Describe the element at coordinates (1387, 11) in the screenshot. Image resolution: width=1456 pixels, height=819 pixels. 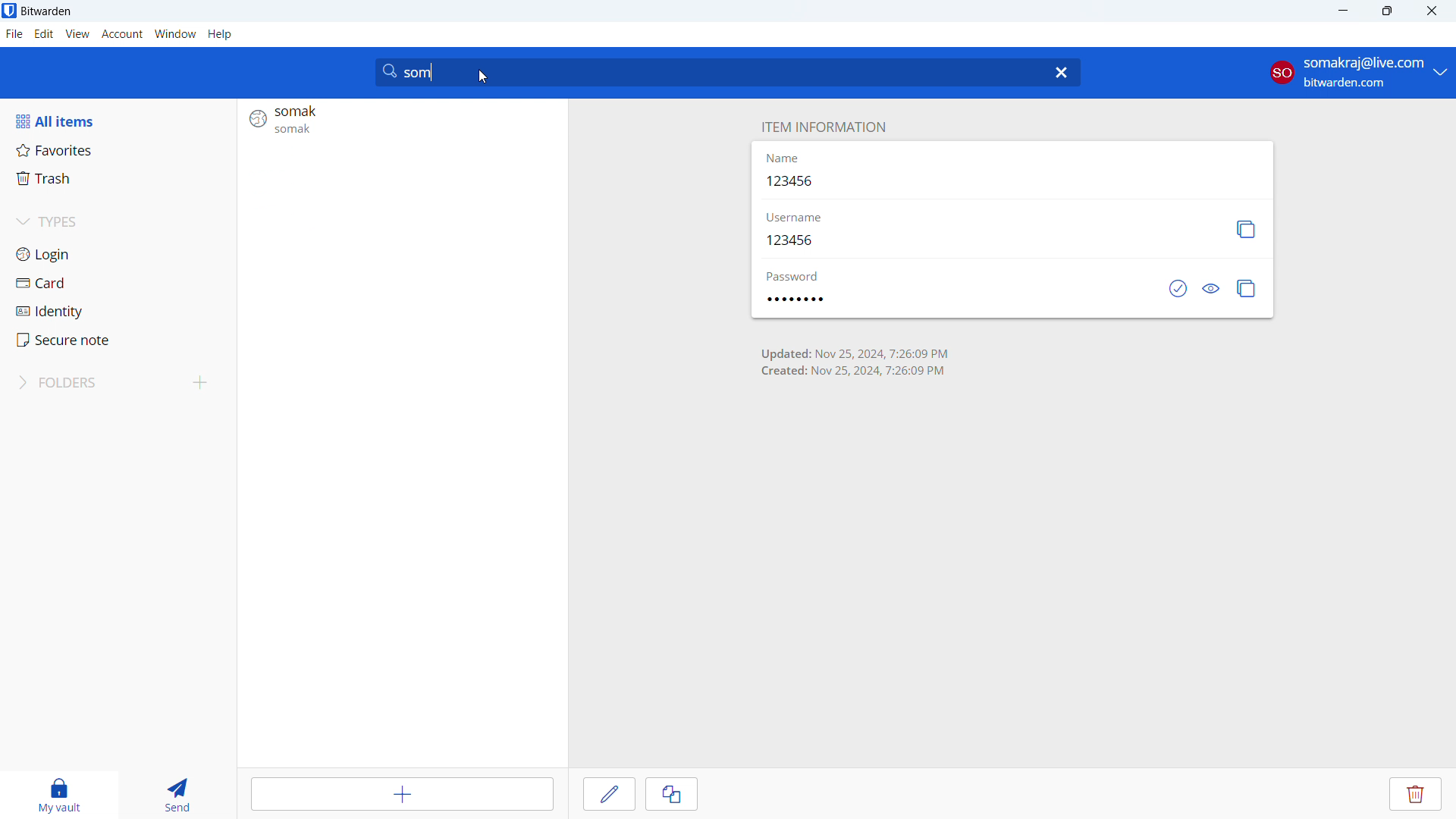
I see `maximize` at that location.